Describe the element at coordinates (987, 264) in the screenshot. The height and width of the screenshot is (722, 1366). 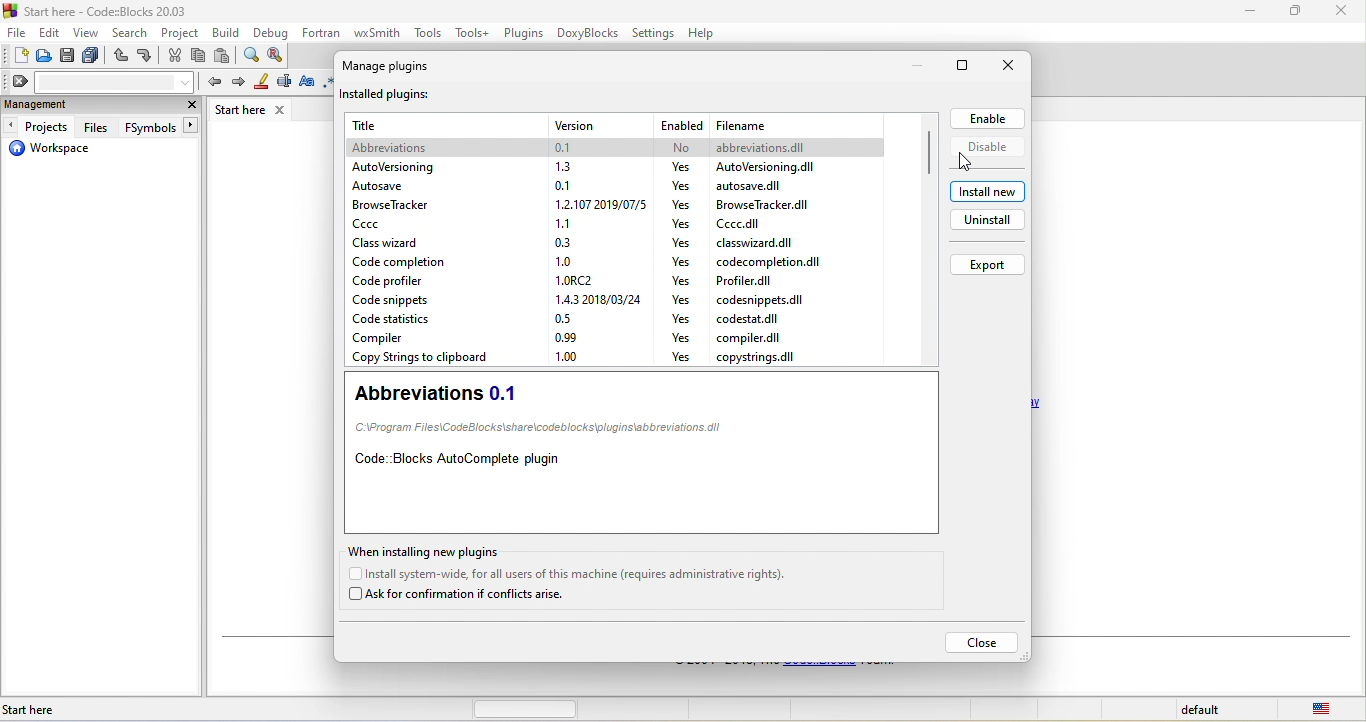
I see `export` at that location.